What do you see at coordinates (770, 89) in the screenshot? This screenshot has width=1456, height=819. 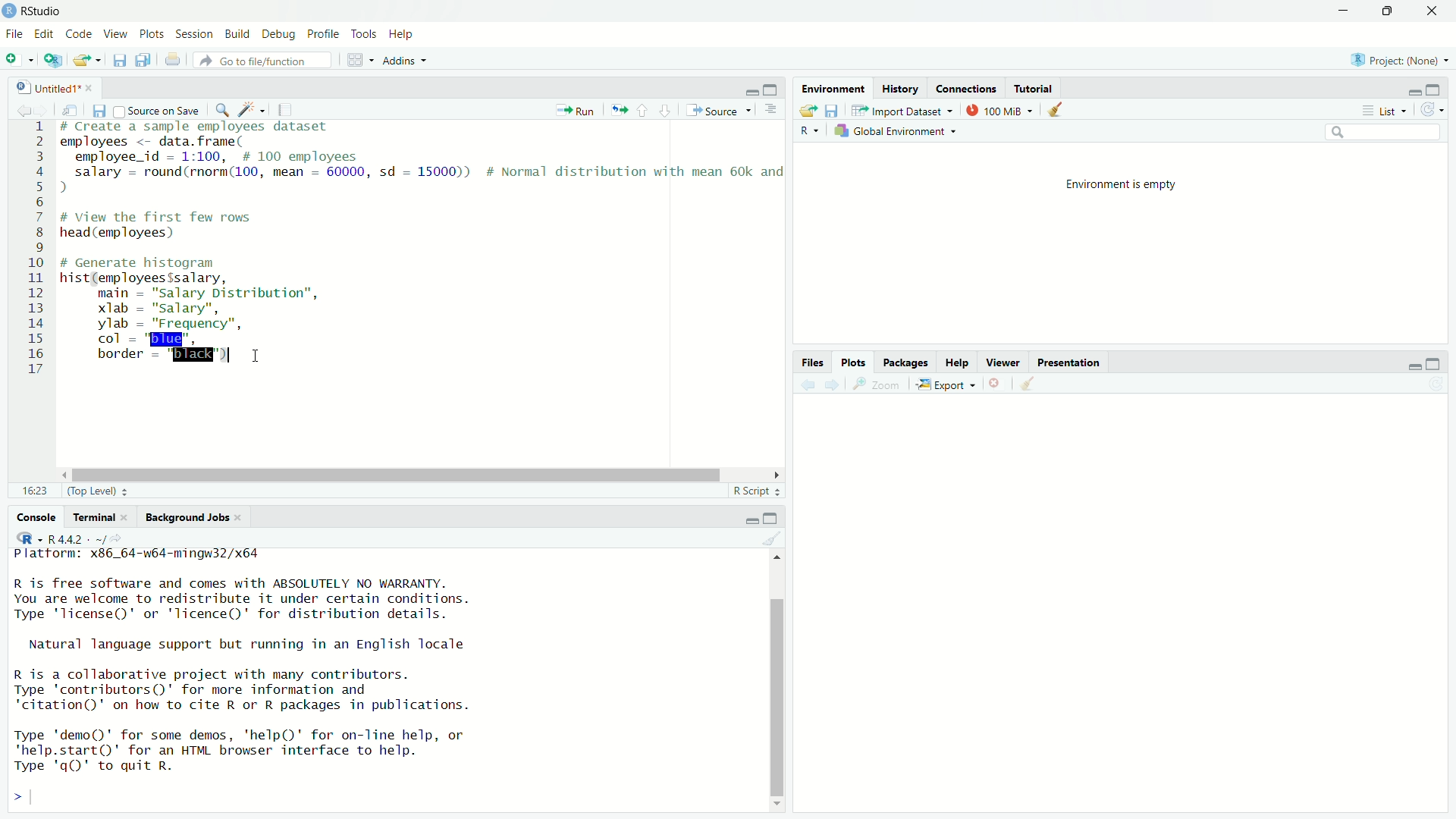 I see `Maximise ` at bounding box center [770, 89].